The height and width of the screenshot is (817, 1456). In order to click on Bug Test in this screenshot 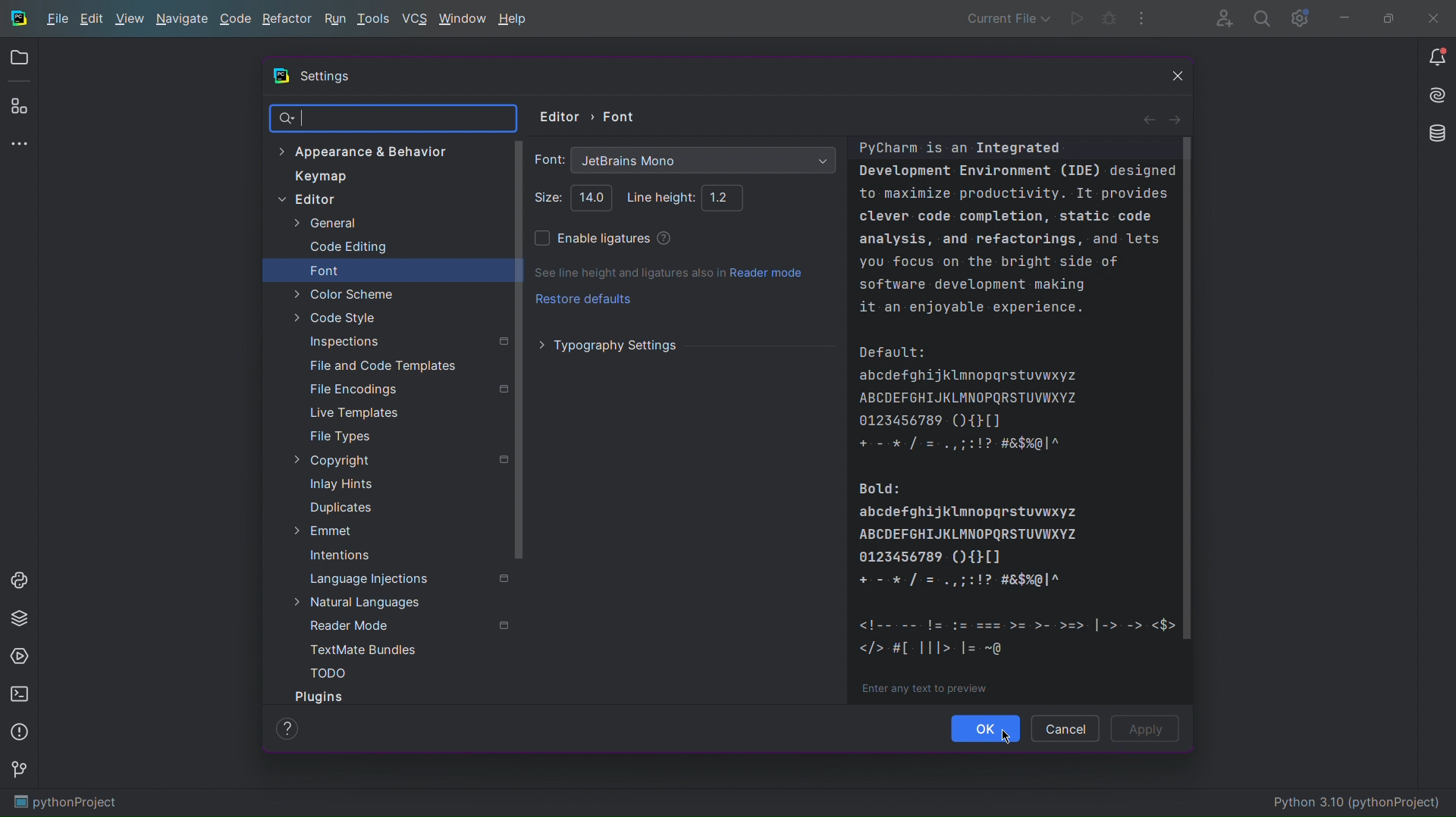, I will do `click(1109, 19)`.